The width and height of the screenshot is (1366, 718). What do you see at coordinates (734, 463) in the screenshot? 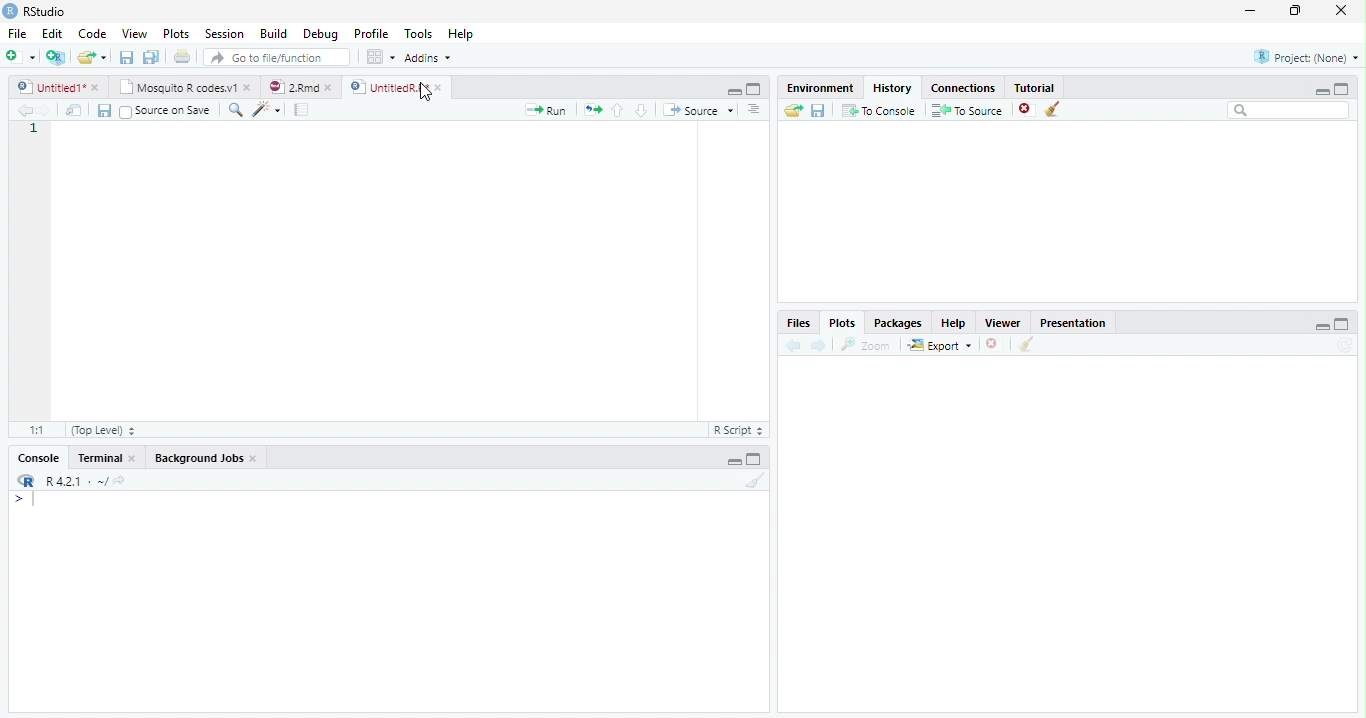
I see `Minimize` at bounding box center [734, 463].